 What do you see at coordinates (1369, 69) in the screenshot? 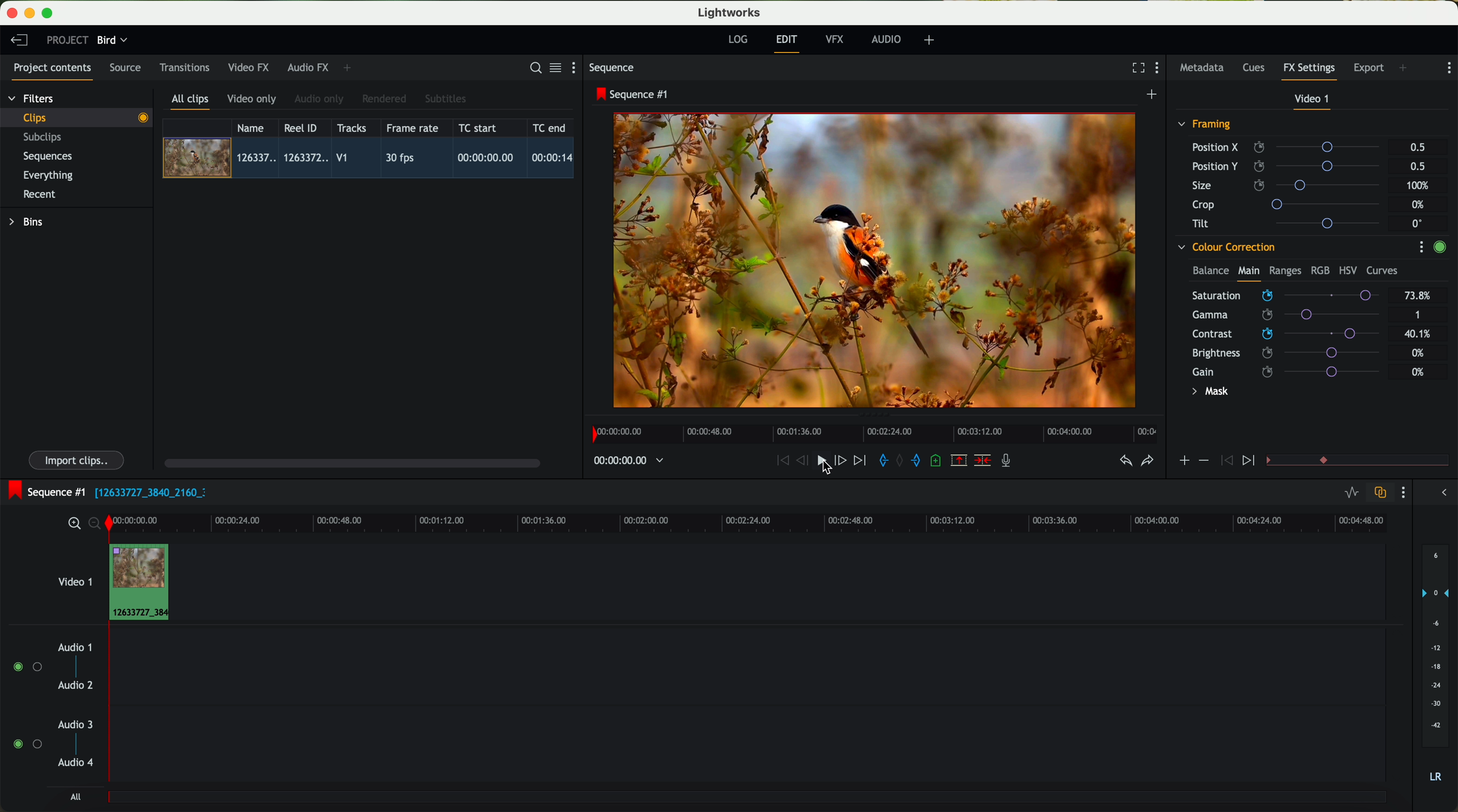
I see `export` at bounding box center [1369, 69].